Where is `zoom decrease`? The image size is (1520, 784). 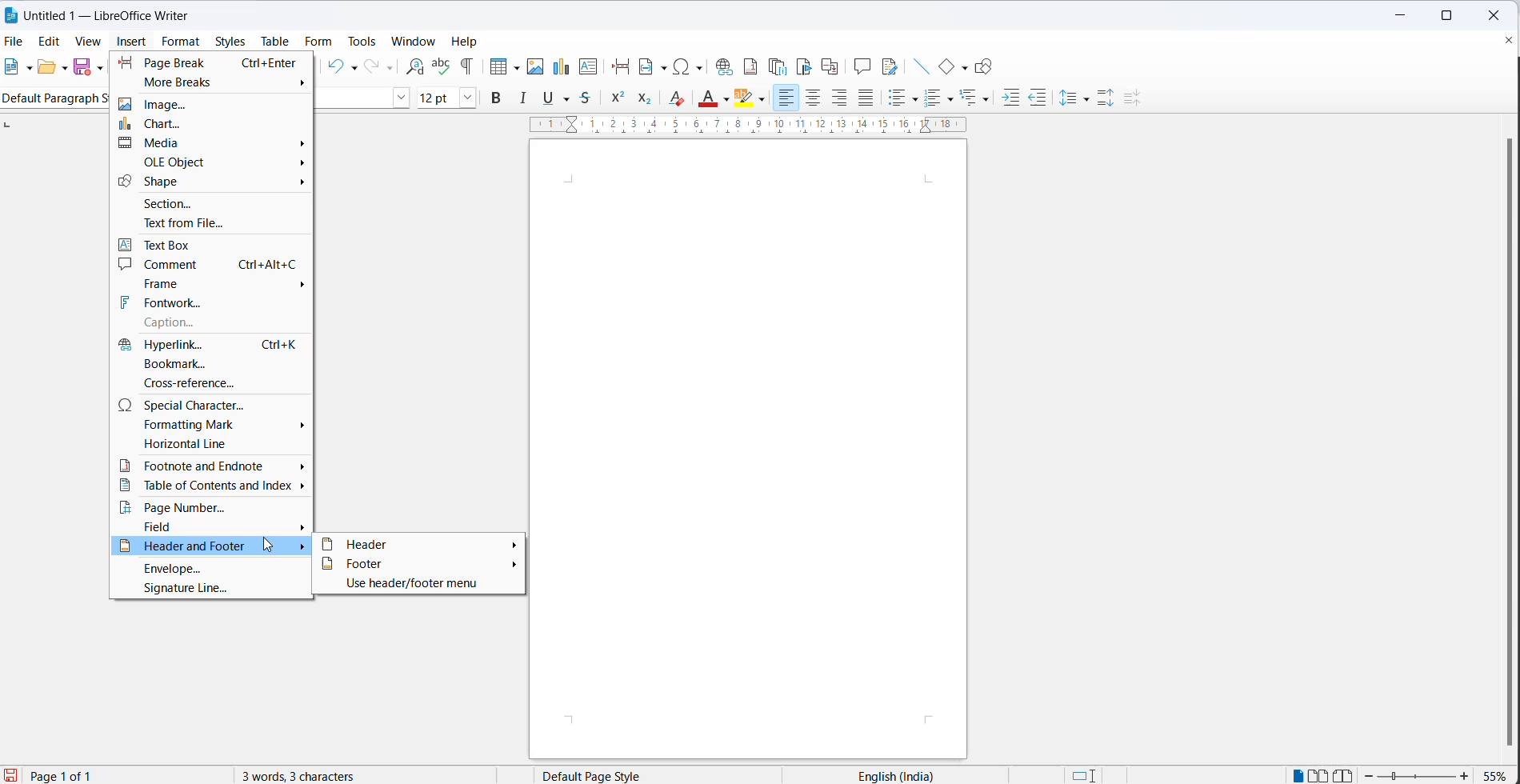 zoom decrease is located at coordinates (1369, 776).